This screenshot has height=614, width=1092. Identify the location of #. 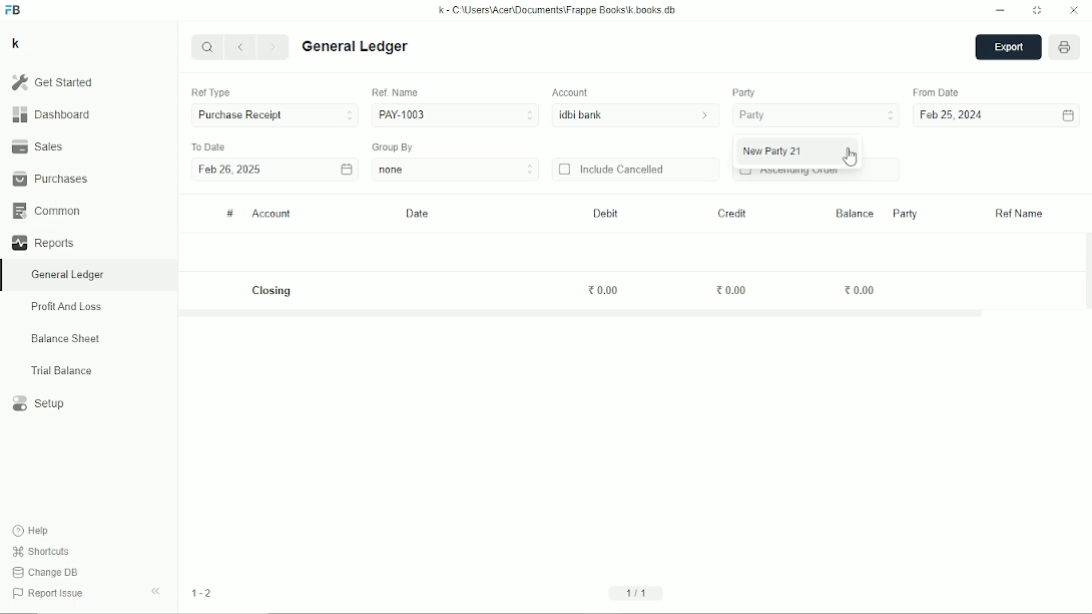
(230, 214).